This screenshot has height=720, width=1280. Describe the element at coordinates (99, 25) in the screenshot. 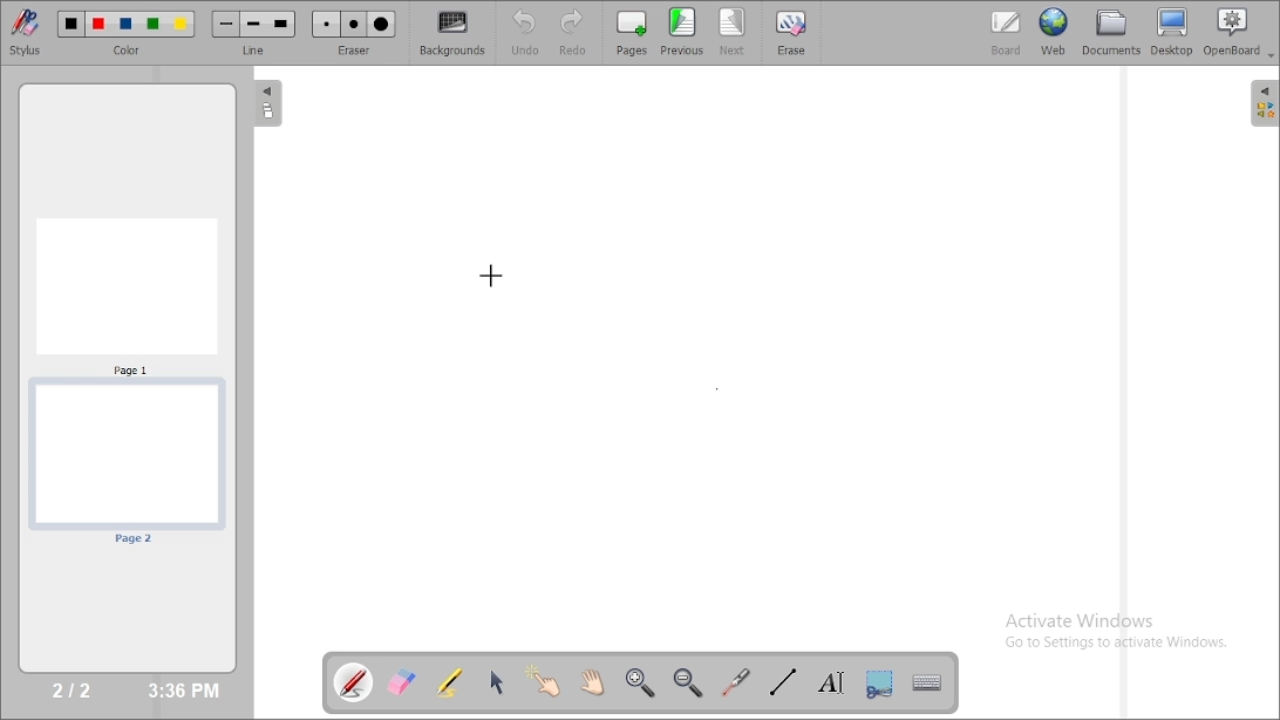

I see `Color 2` at that location.